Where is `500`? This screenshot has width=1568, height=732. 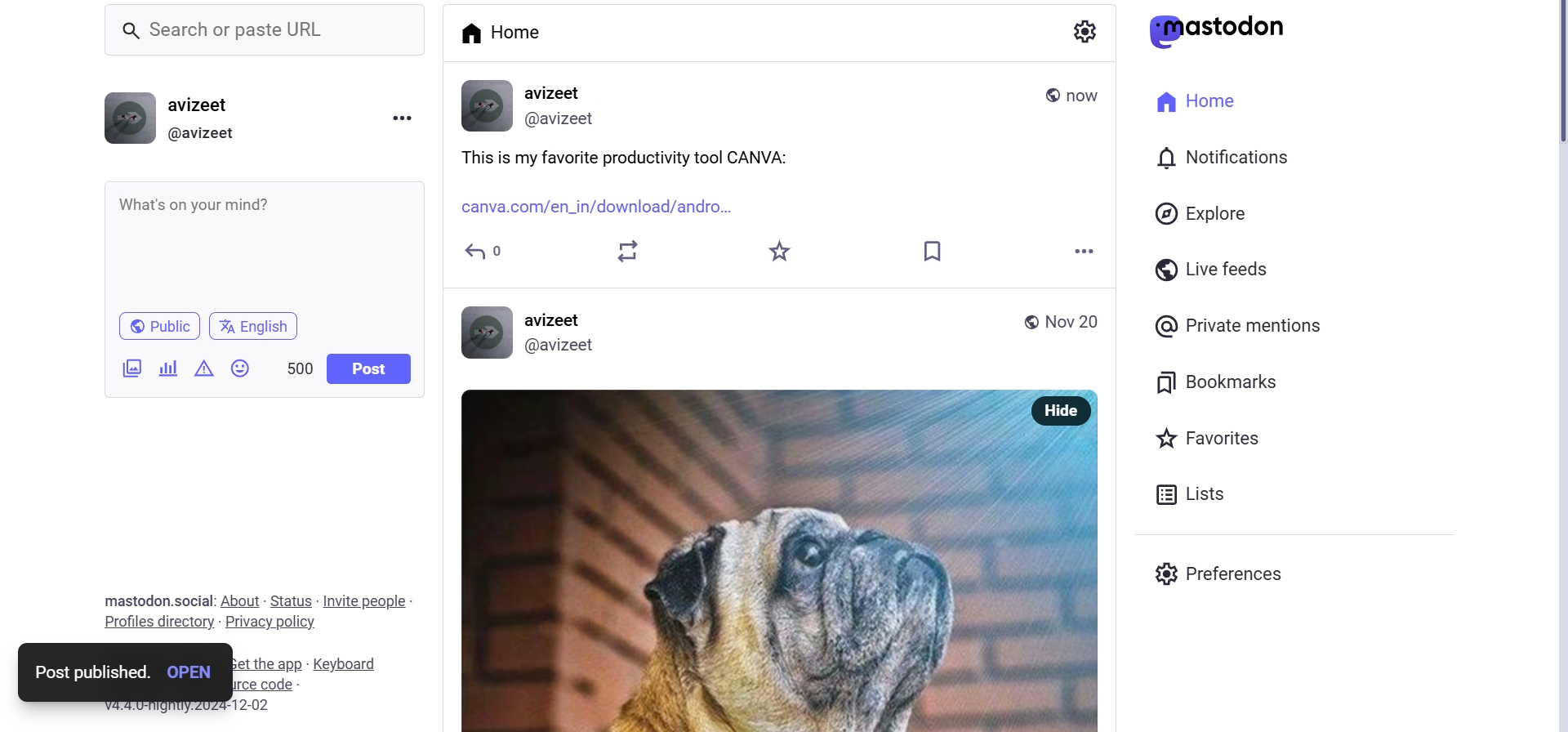
500 is located at coordinates (299, 368).